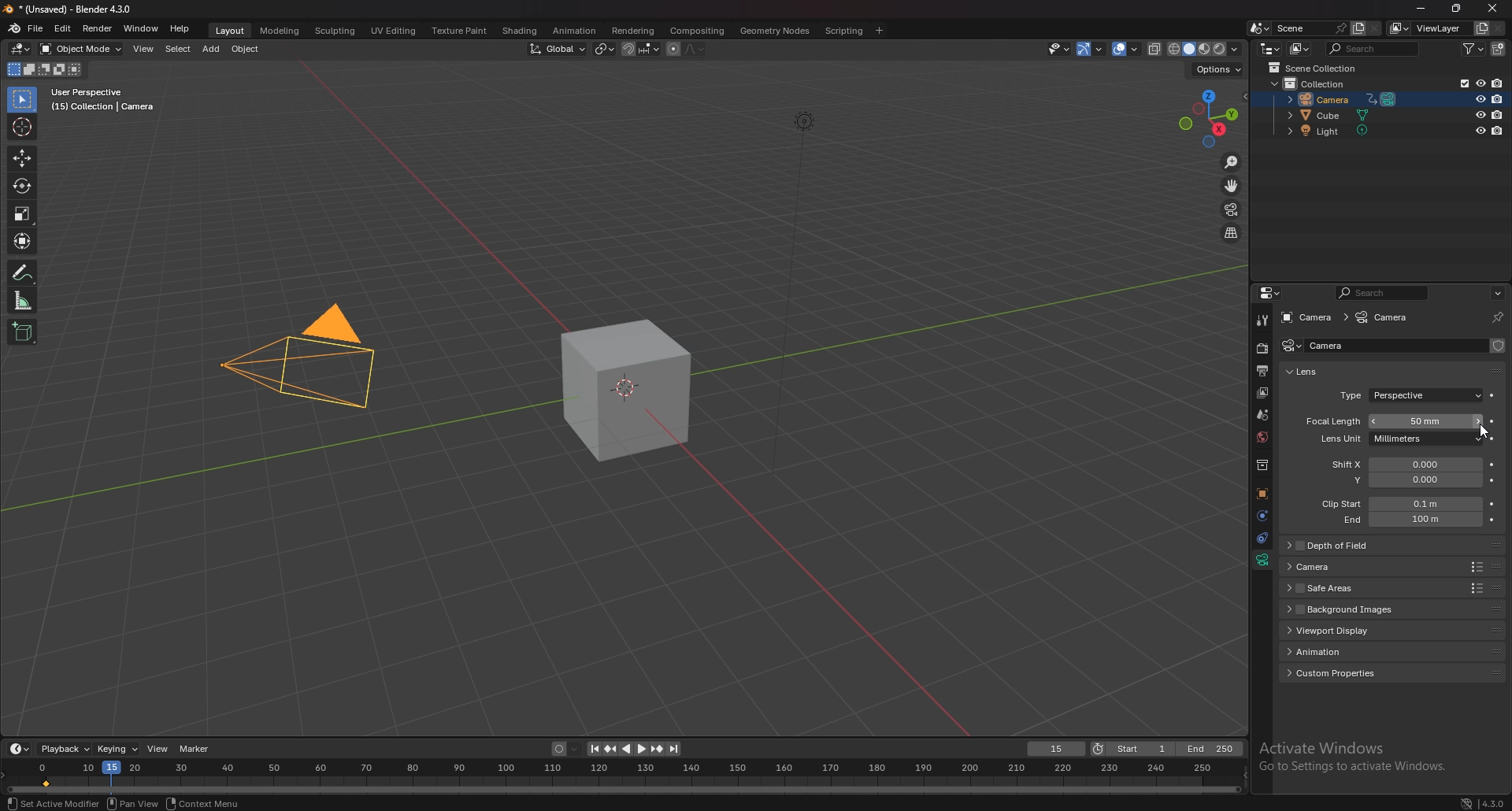  I want to click on depth of field, so click(1352, 546).